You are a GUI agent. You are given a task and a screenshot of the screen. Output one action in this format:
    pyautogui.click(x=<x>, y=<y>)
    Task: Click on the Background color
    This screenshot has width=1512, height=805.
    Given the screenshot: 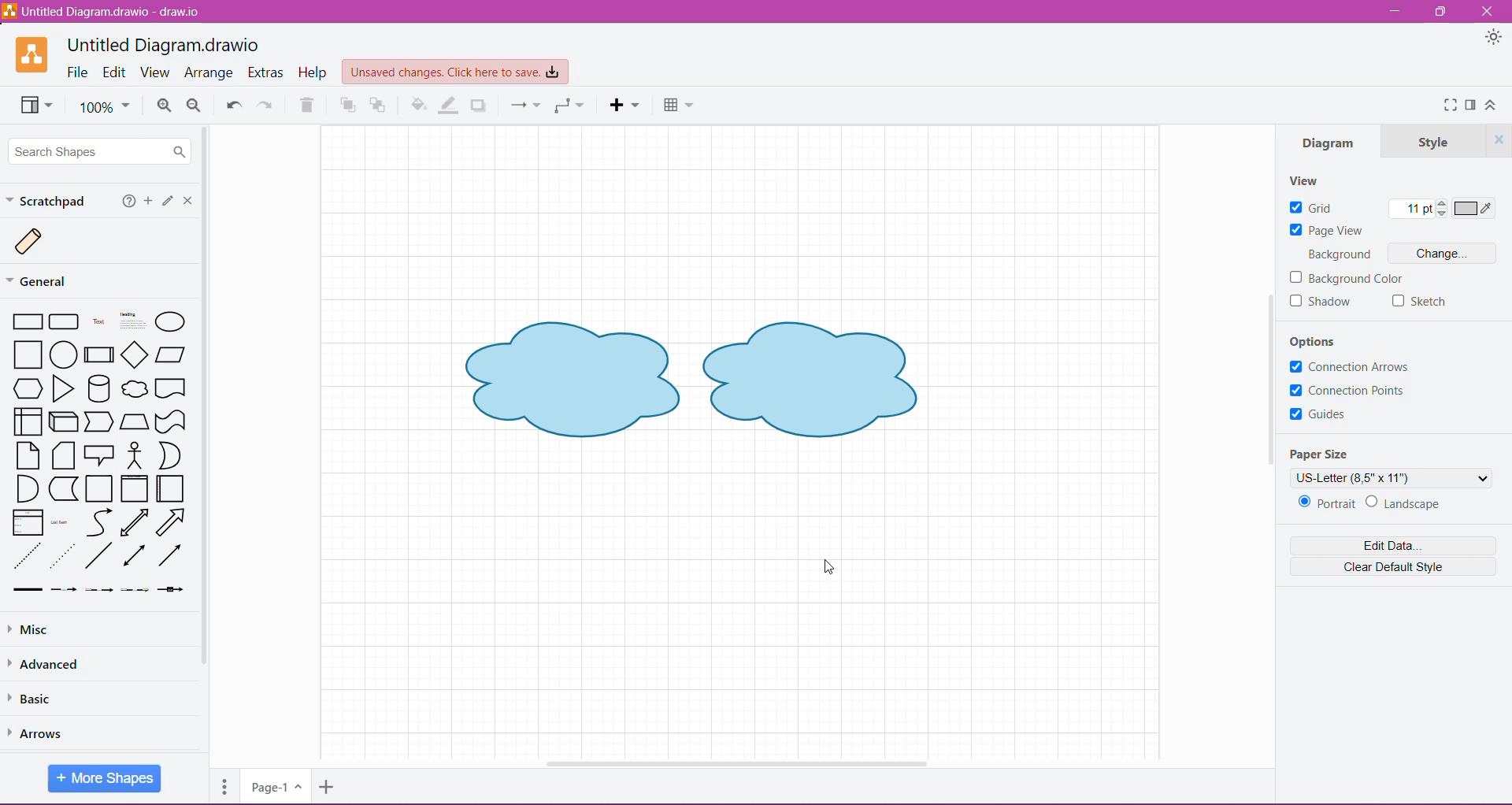 What is the action you would take?
    pyautogui.click(x=1356, y=280)
    